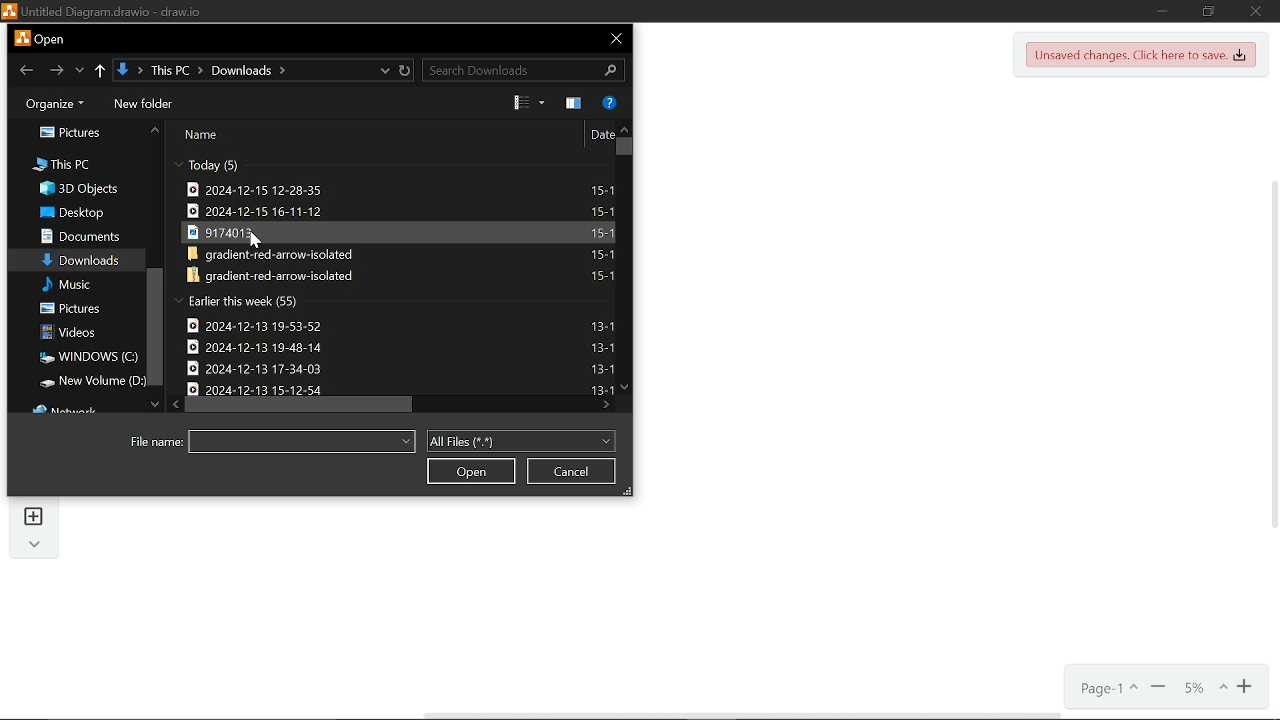 The height and width of the screenshot is (720, 1280). What do you see at coordinates (76, 308) in the screenshot?
I see `pictures` at bounding box center [76, 308].